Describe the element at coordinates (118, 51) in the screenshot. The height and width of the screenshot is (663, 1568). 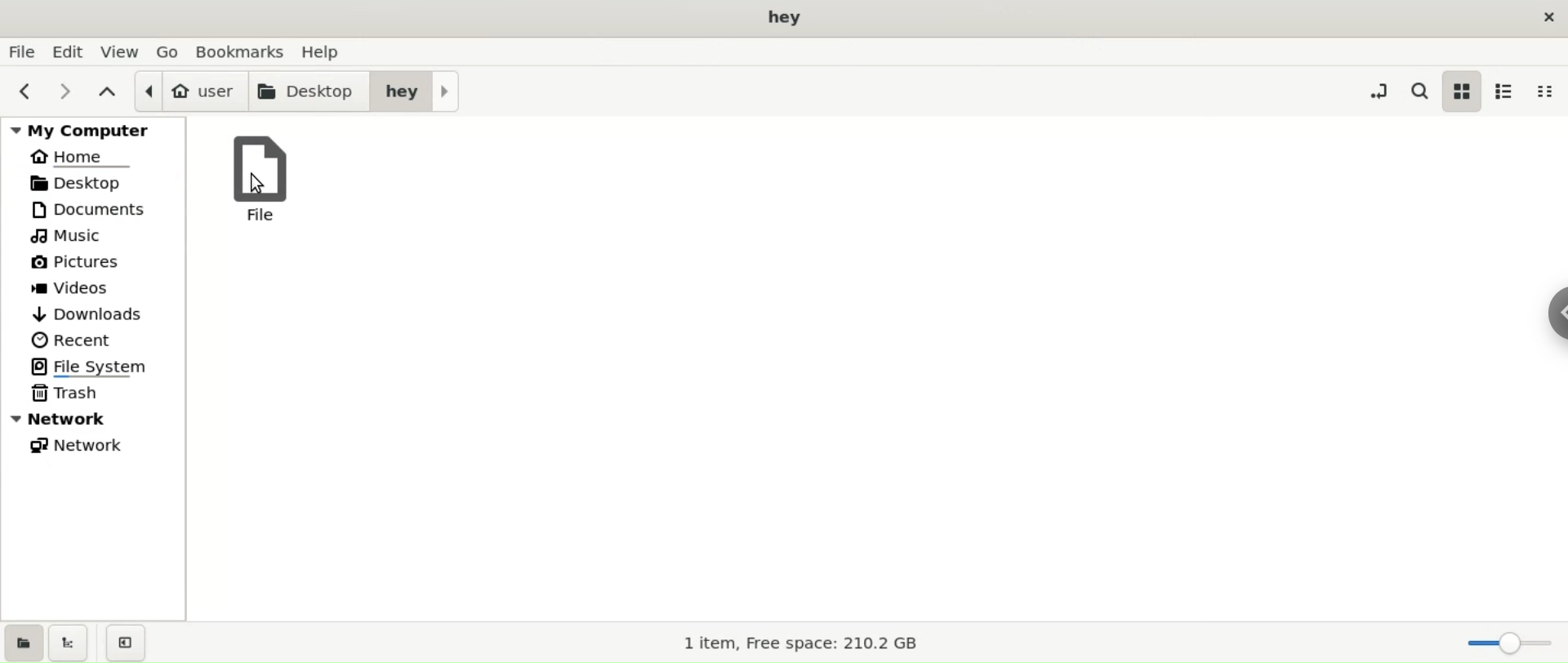
I see `view` at that location.